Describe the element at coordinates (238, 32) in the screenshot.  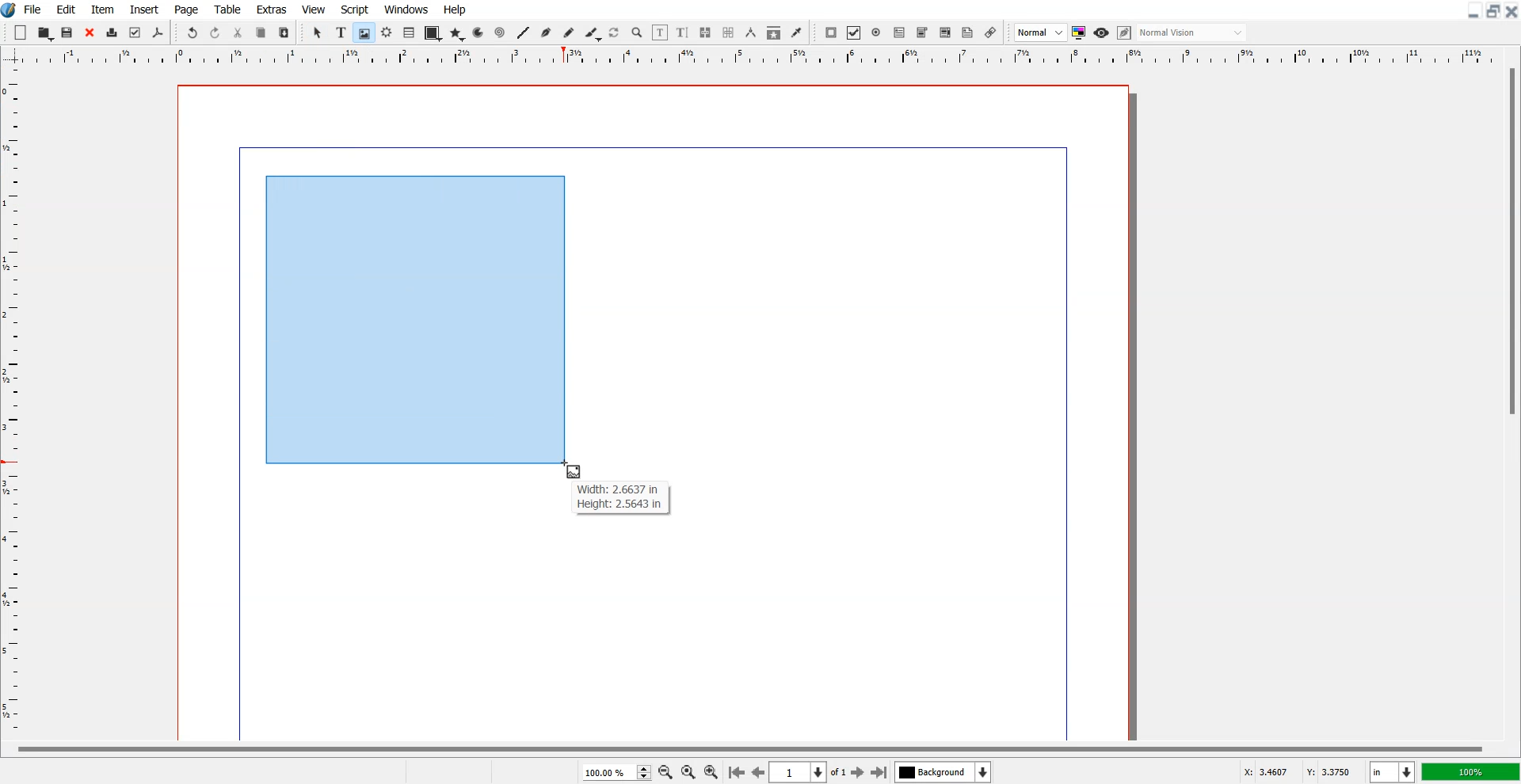
I see `Cut` at that location.